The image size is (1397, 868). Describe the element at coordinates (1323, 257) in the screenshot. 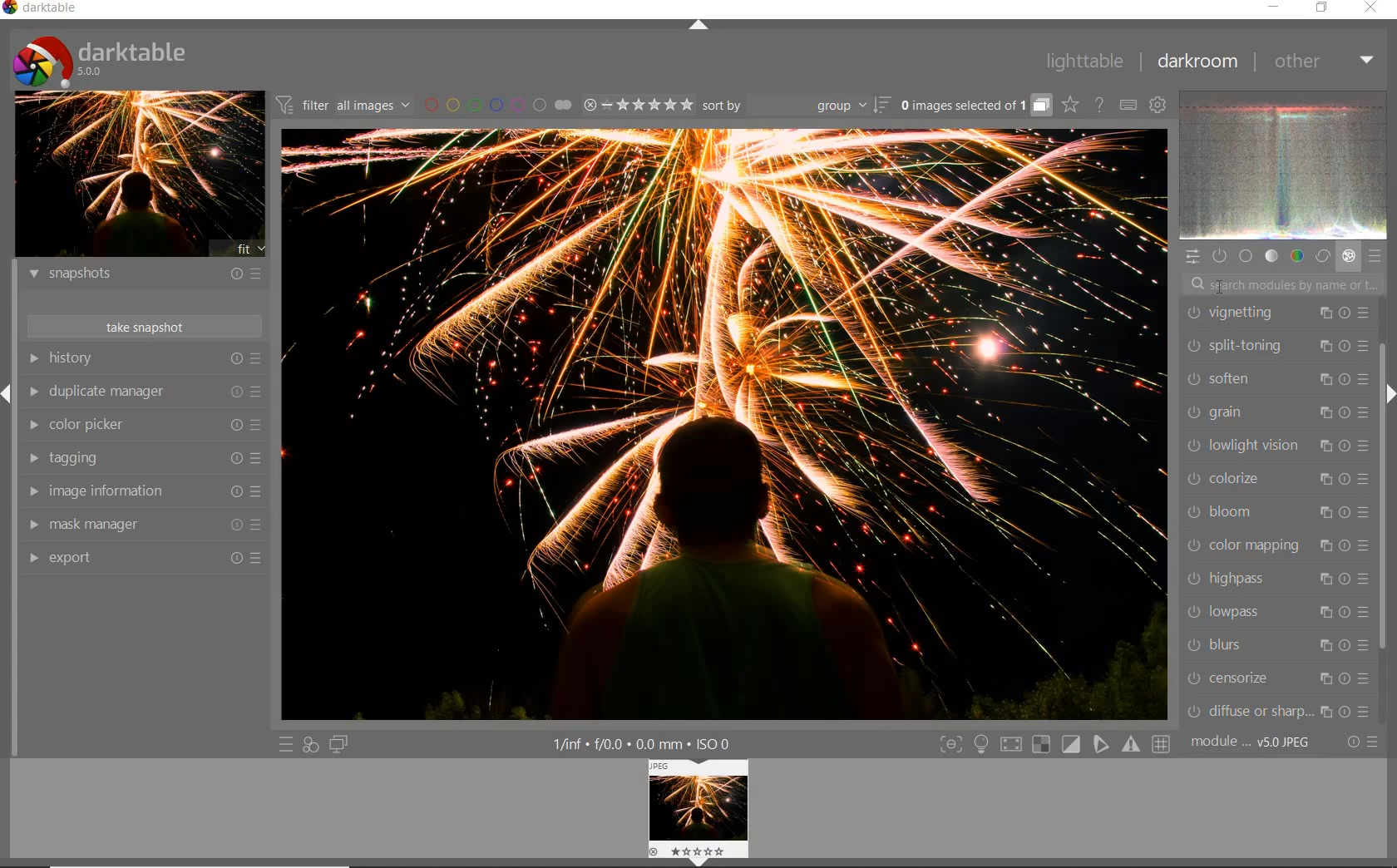

I see `correct` at that location.